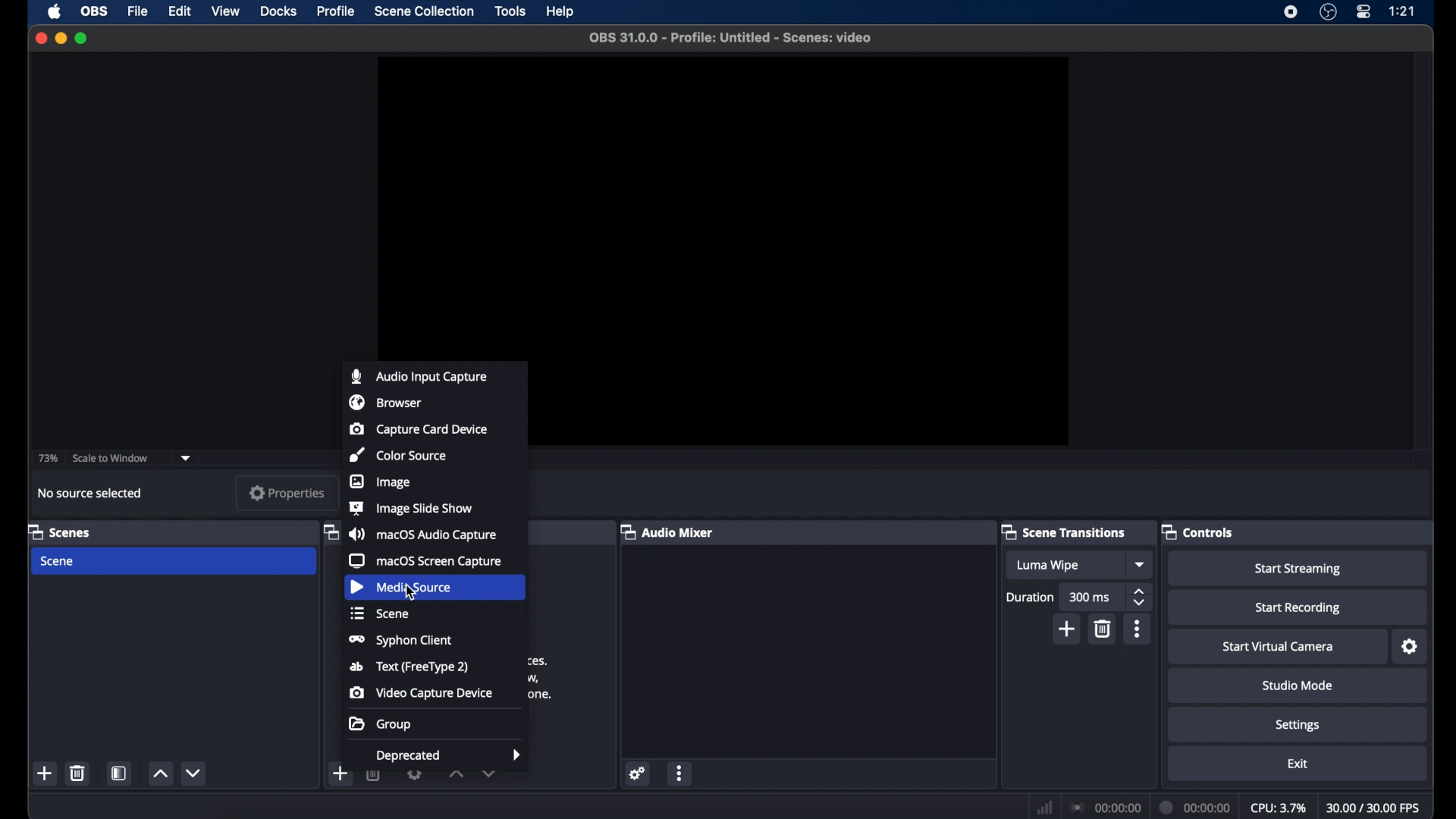 The image size is (1456, 819). Describe the element at coordinates (422, 11) in the screenshot. I see `scene collection` at that location.